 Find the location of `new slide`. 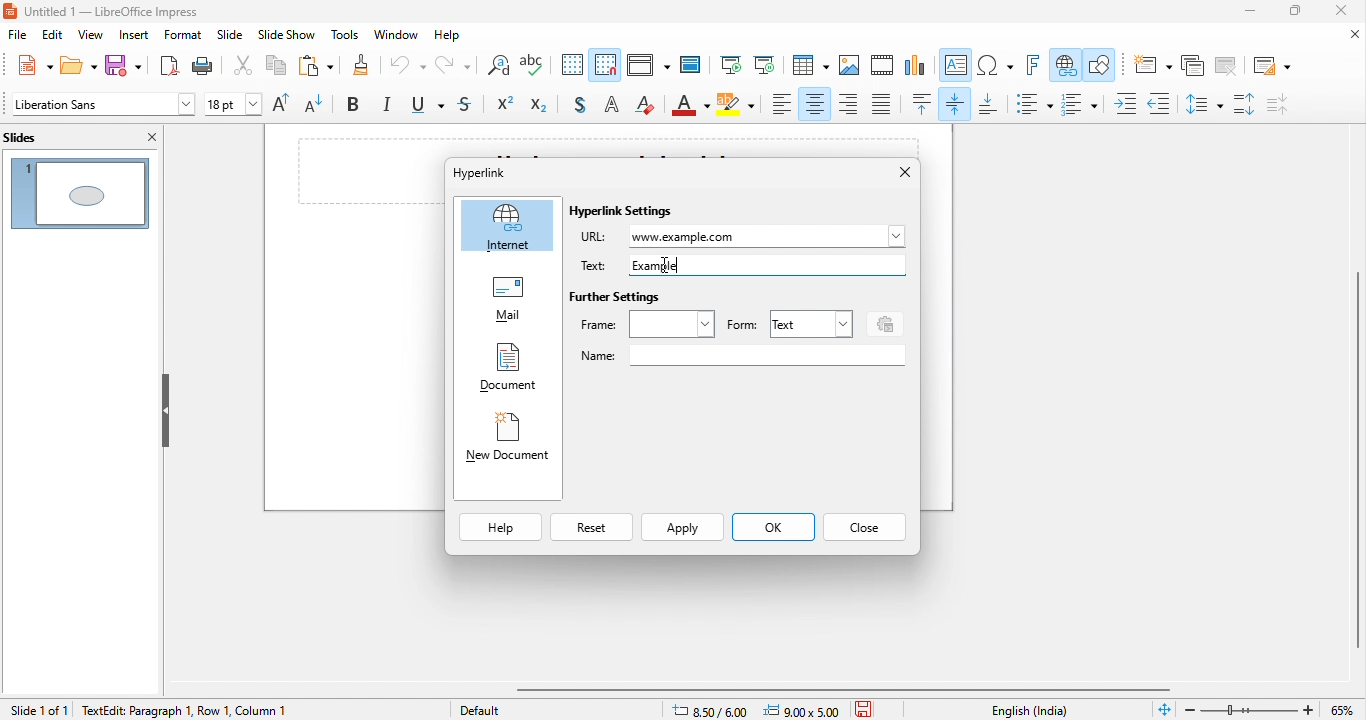

new slide is located at coordinates (1150, 65).